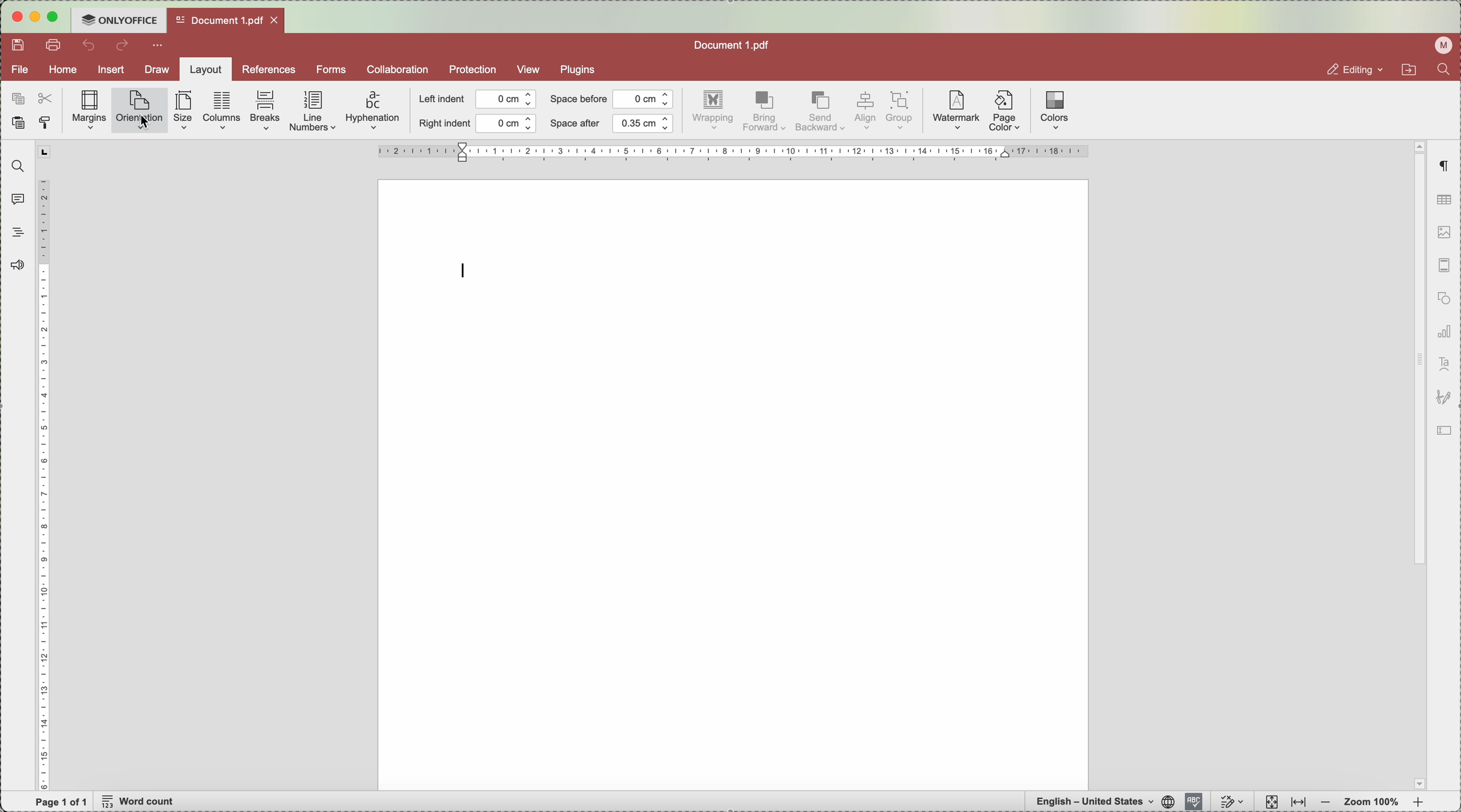 Image resolution: width=1461 pixels, height=812 pixels. What do you see at coordinates (397, 69) in the screenshot?
I see `collaboration` at bounding box center [397, 69].